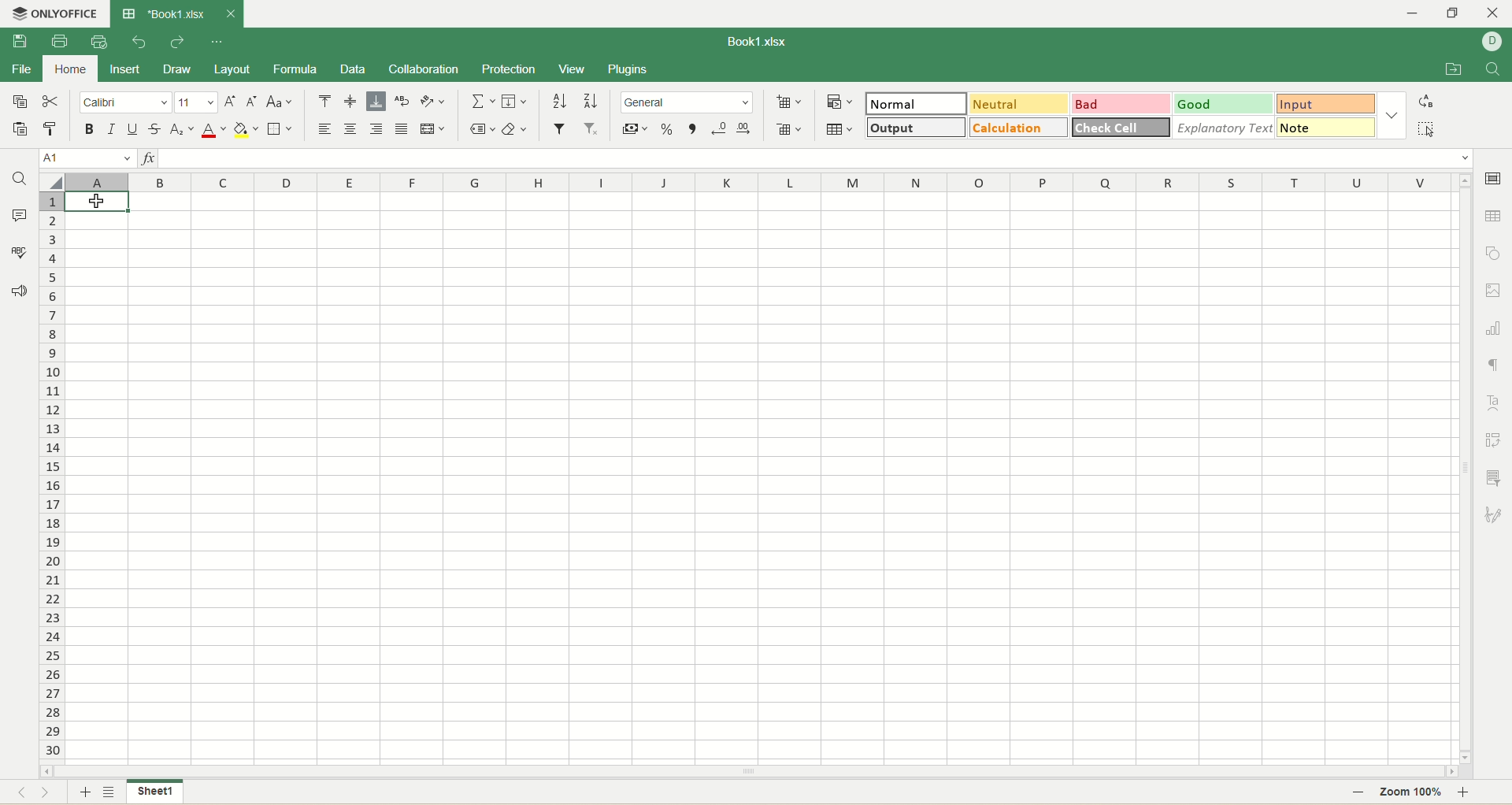  What do you see at coordinates (1324, 128) in the screenshot?
I see `note` at bounding box center [1324, 128].